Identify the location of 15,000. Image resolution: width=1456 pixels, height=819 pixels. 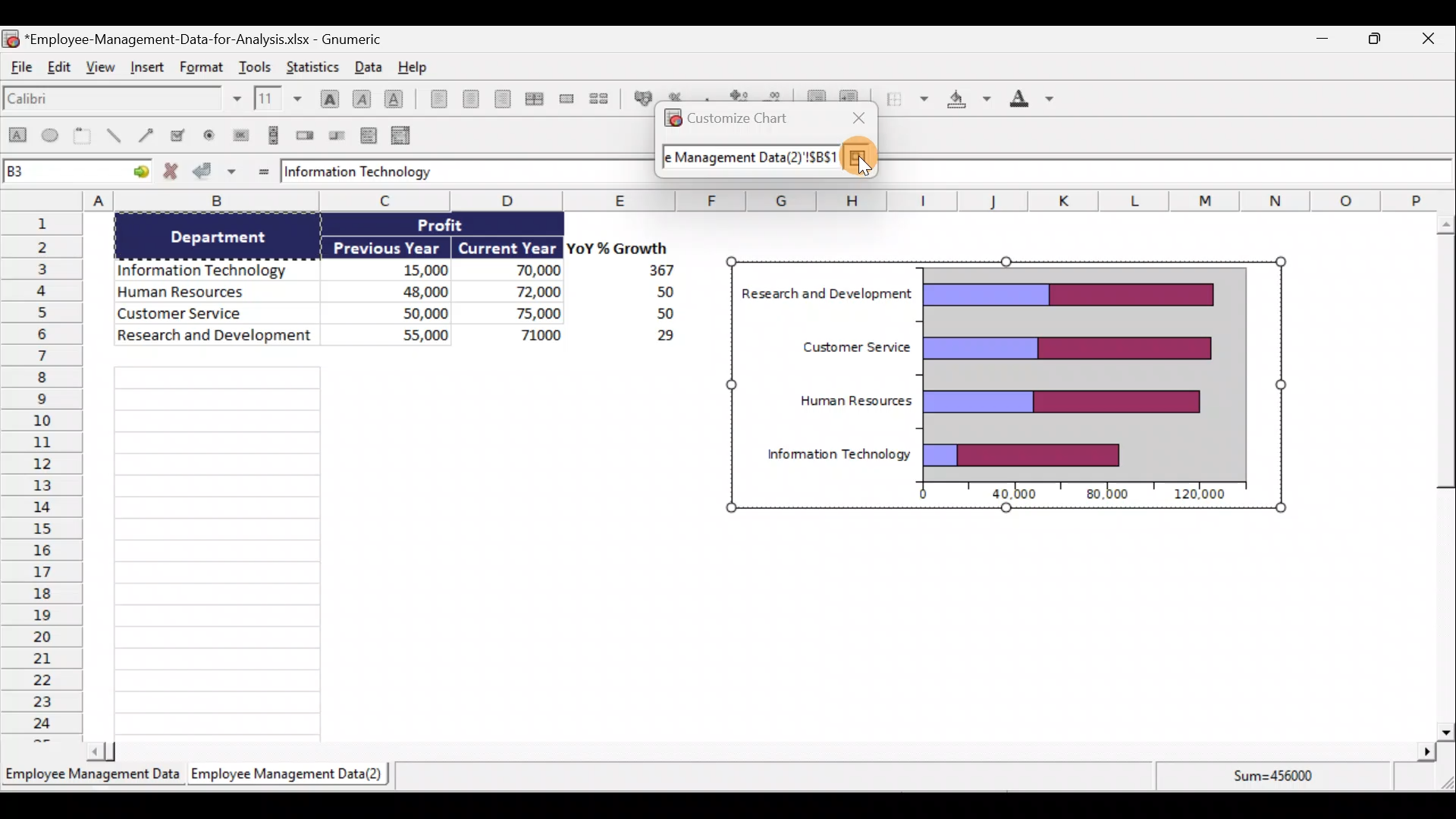
(413, 268).